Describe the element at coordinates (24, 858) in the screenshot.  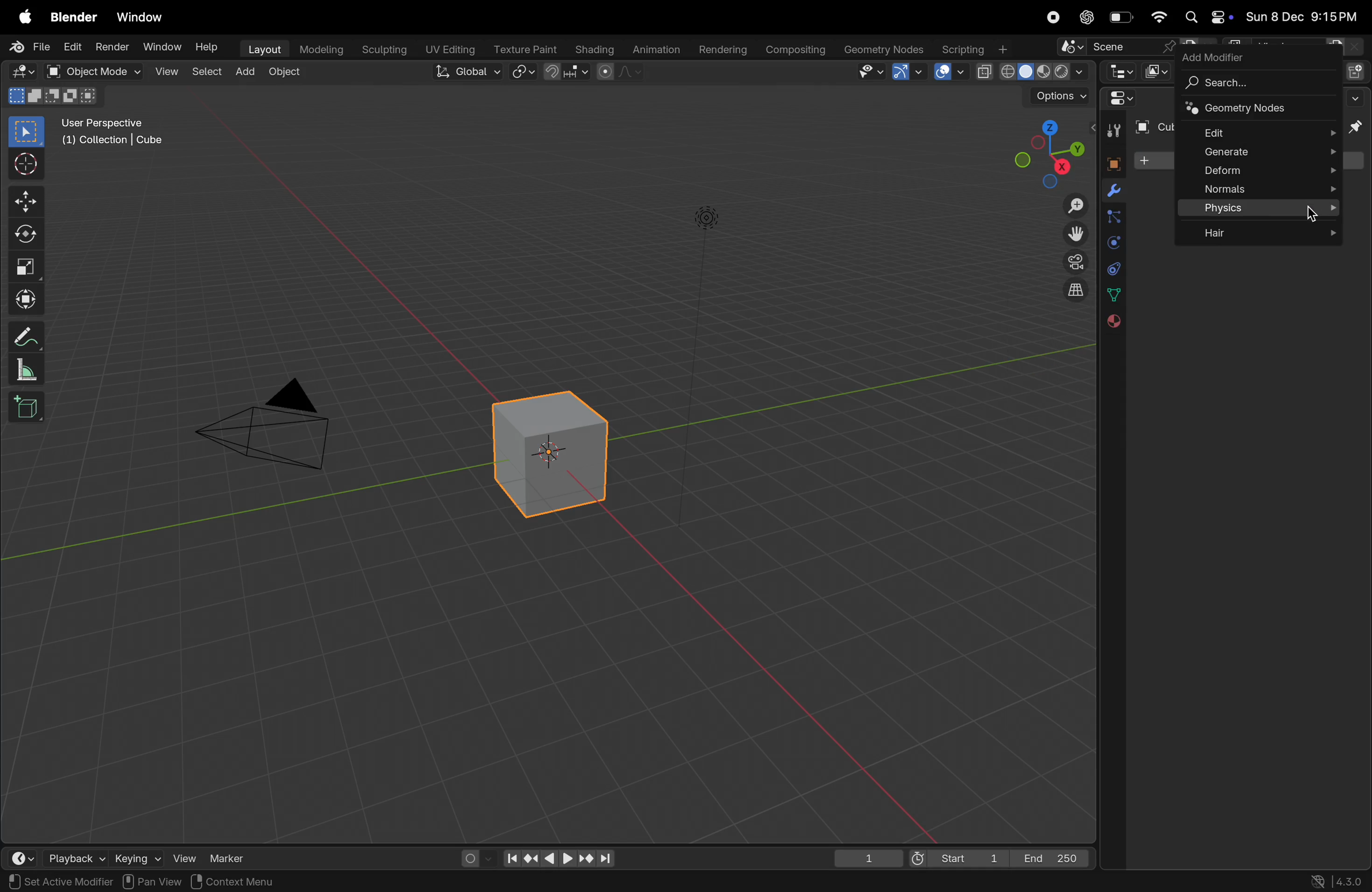
I see `editor type` at that location.